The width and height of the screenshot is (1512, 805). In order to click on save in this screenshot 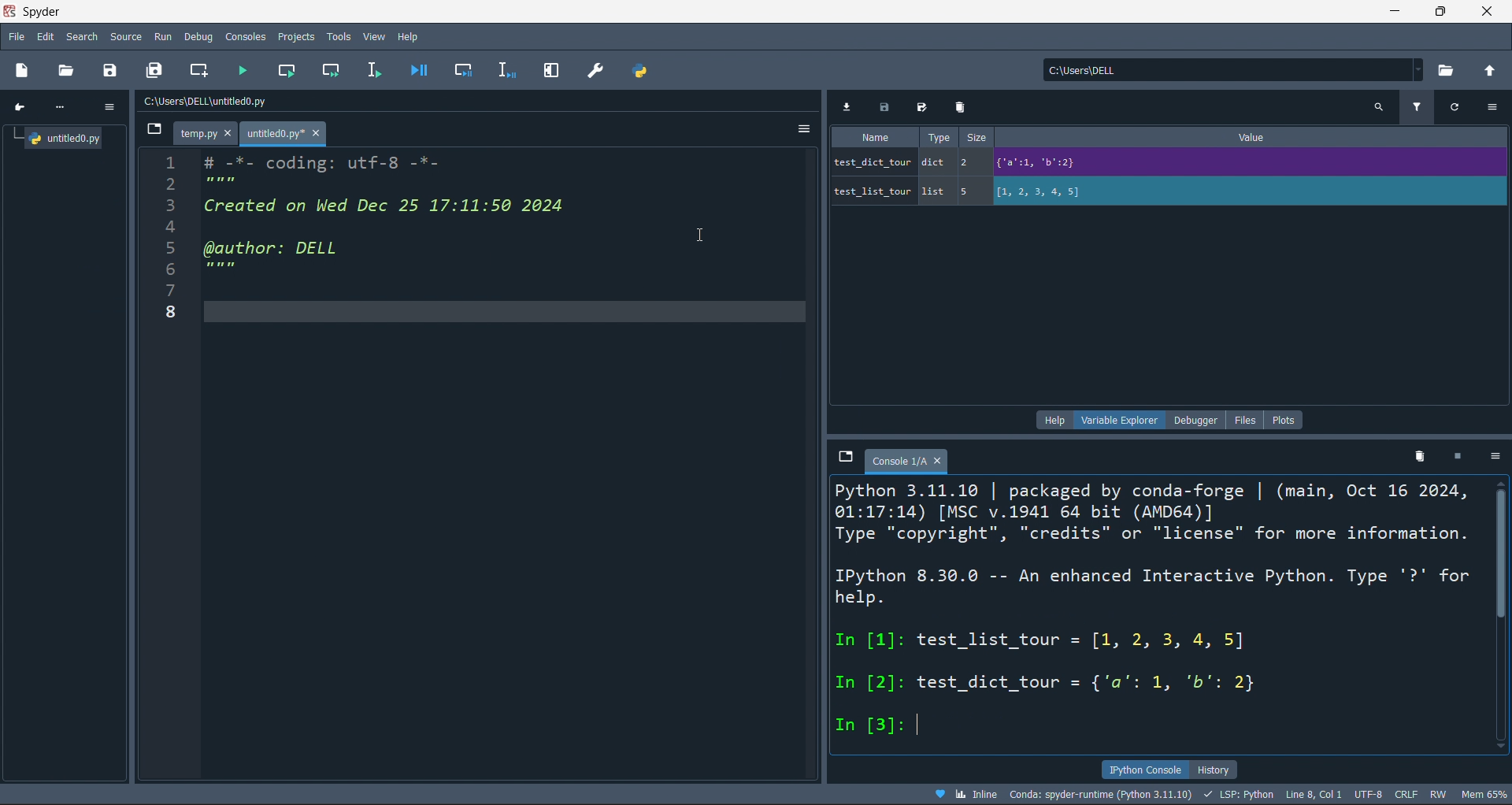, I will do `click(891, 107)`.